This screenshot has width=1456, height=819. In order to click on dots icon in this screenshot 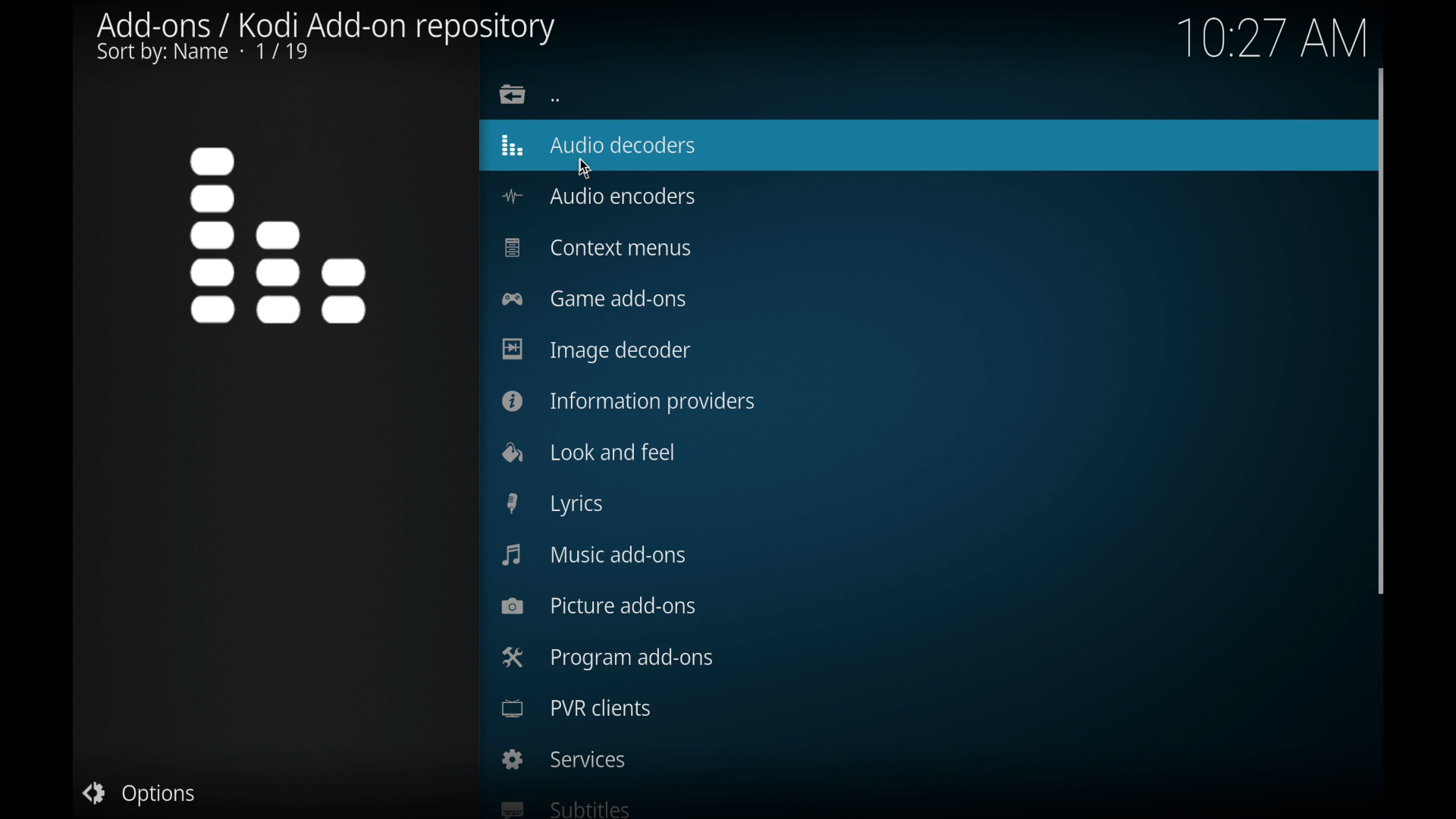, I will do `click(556, 99)`.